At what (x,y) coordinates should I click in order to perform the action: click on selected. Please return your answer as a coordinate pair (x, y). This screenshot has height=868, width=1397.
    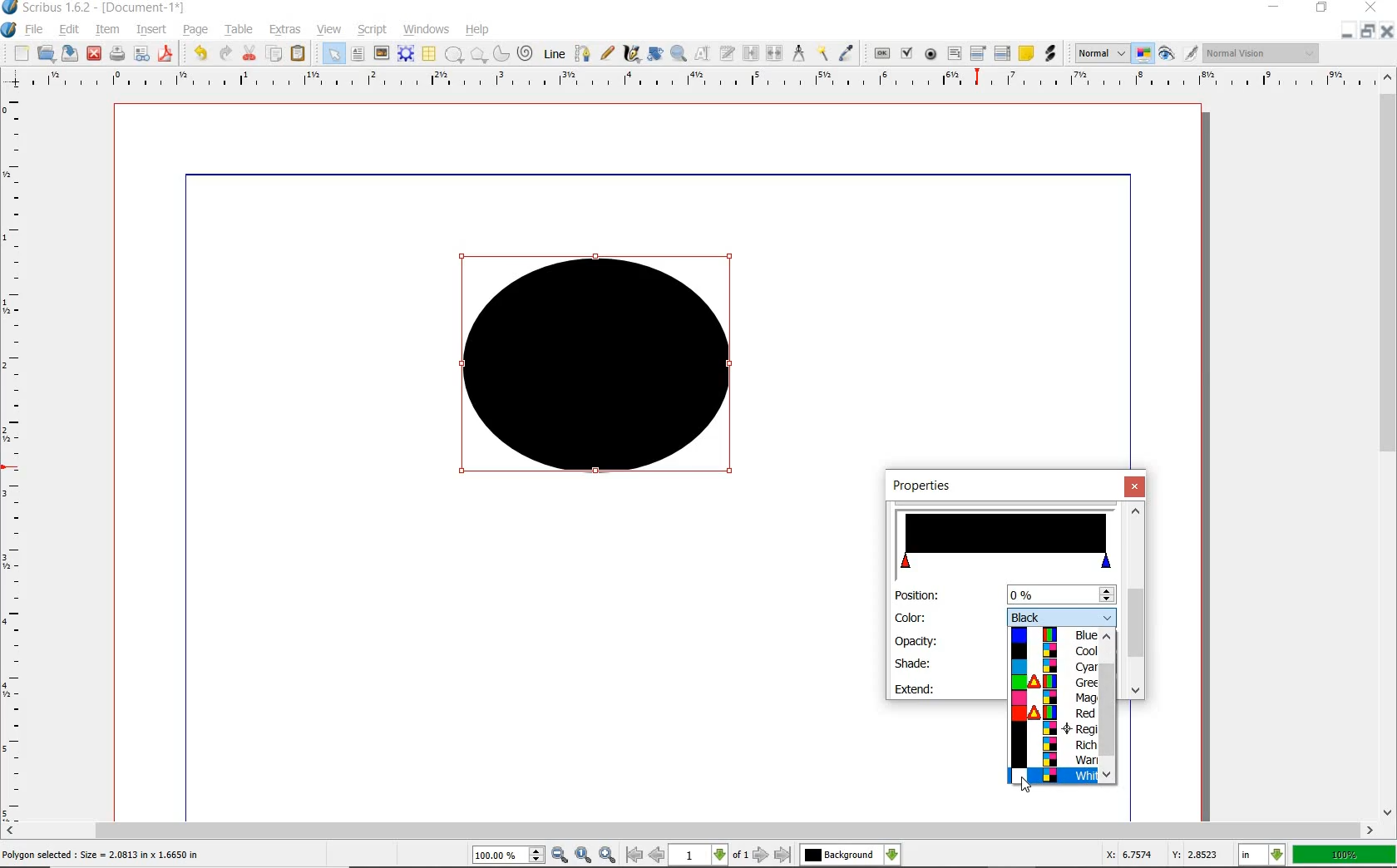
    Looking at the image, I should click on (101, 856).